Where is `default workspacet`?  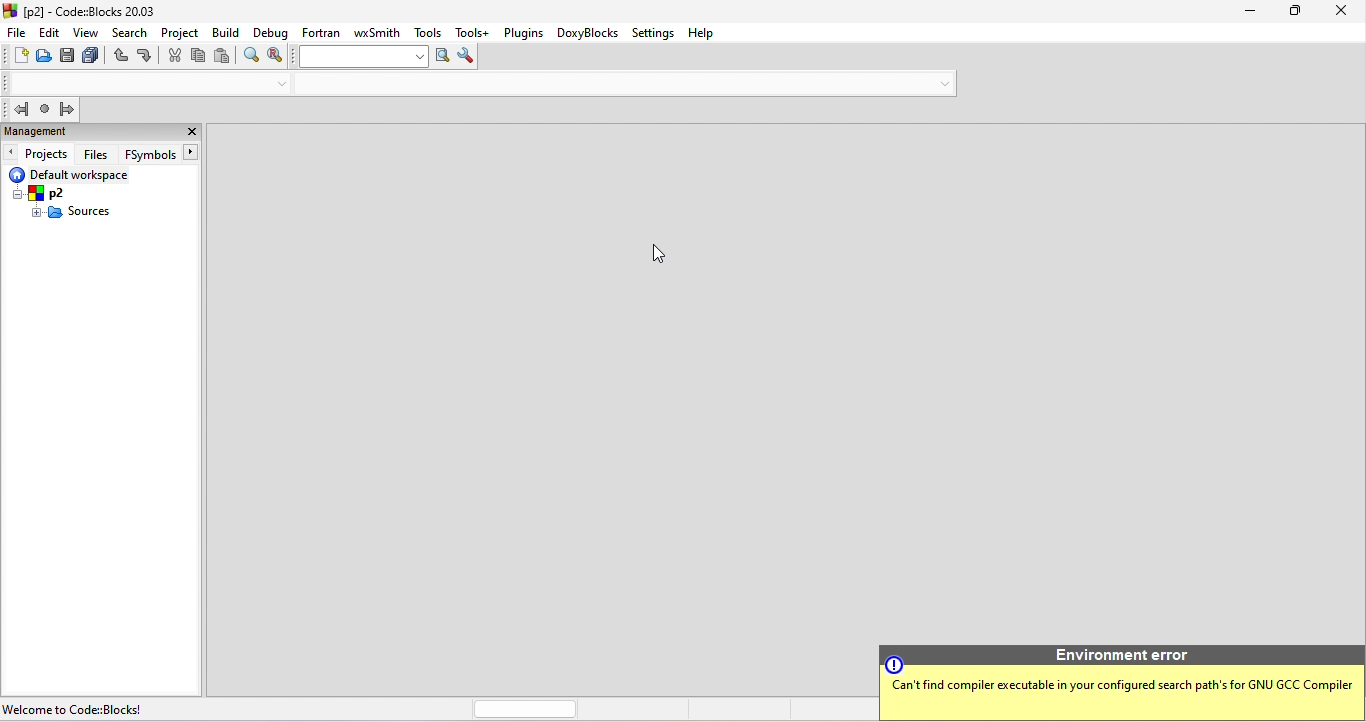
default workspacet is located at coordinates (75, 176).